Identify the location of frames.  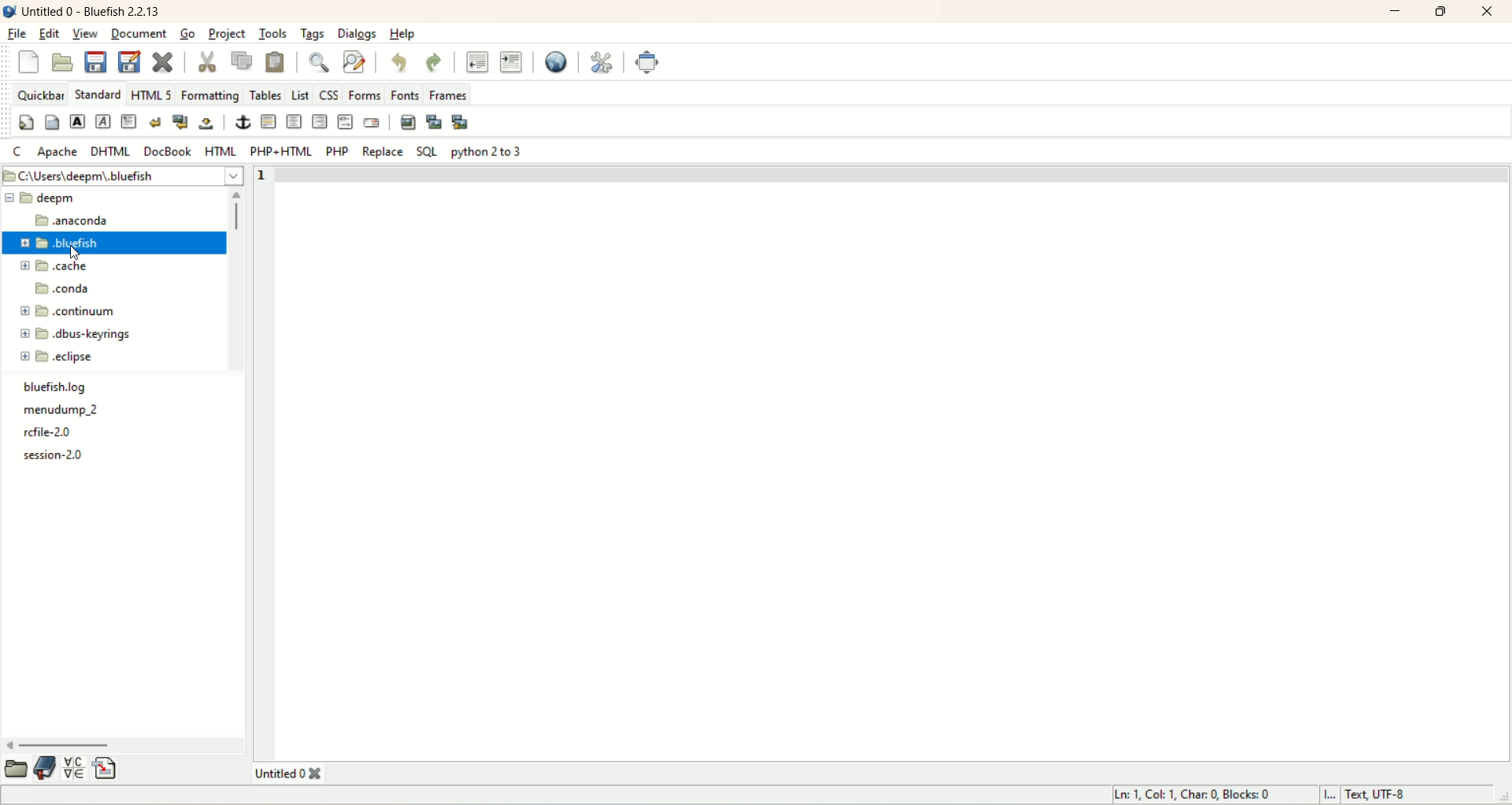
(451, 95).